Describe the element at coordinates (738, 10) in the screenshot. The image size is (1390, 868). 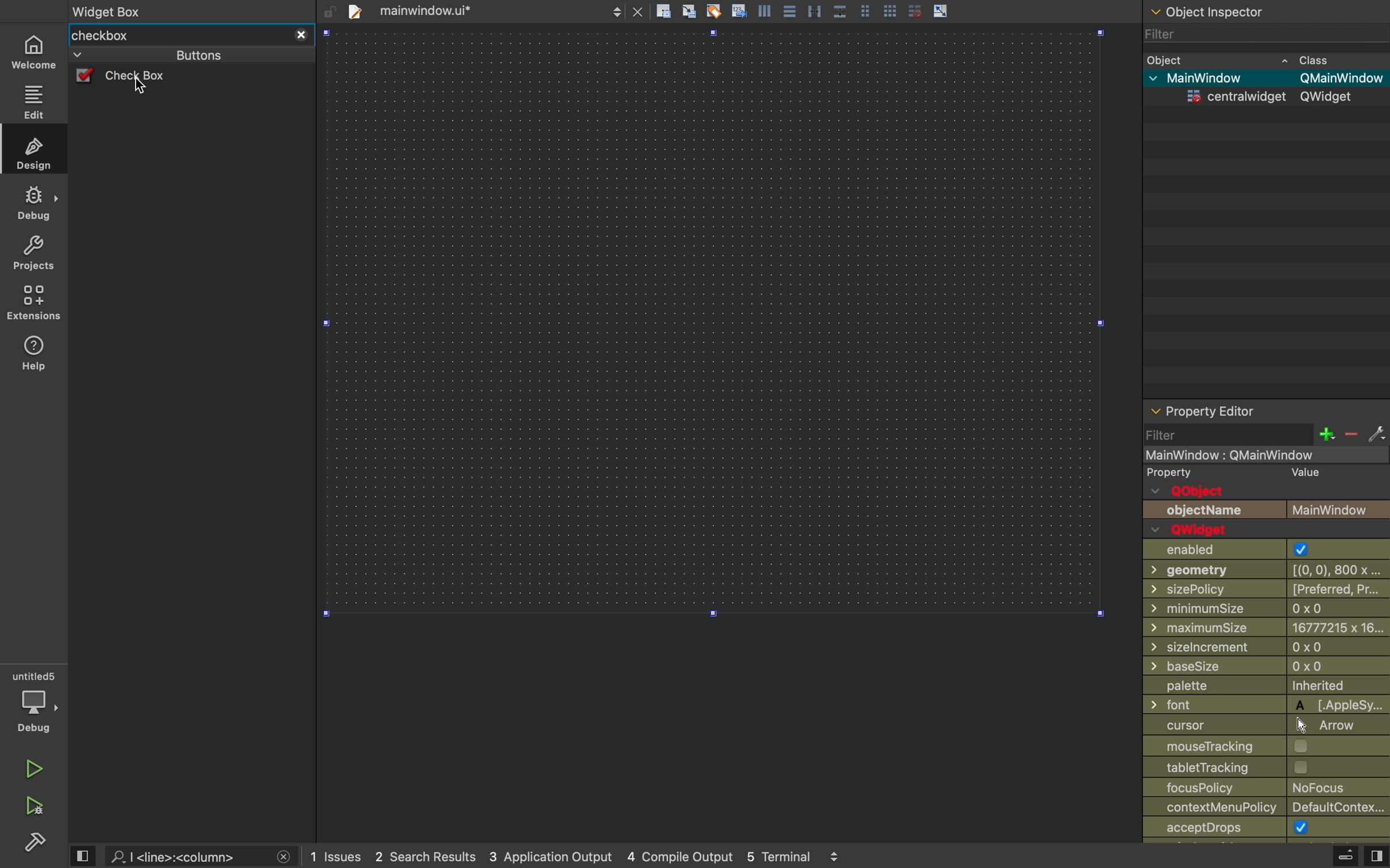
I see `insert text` at that location.